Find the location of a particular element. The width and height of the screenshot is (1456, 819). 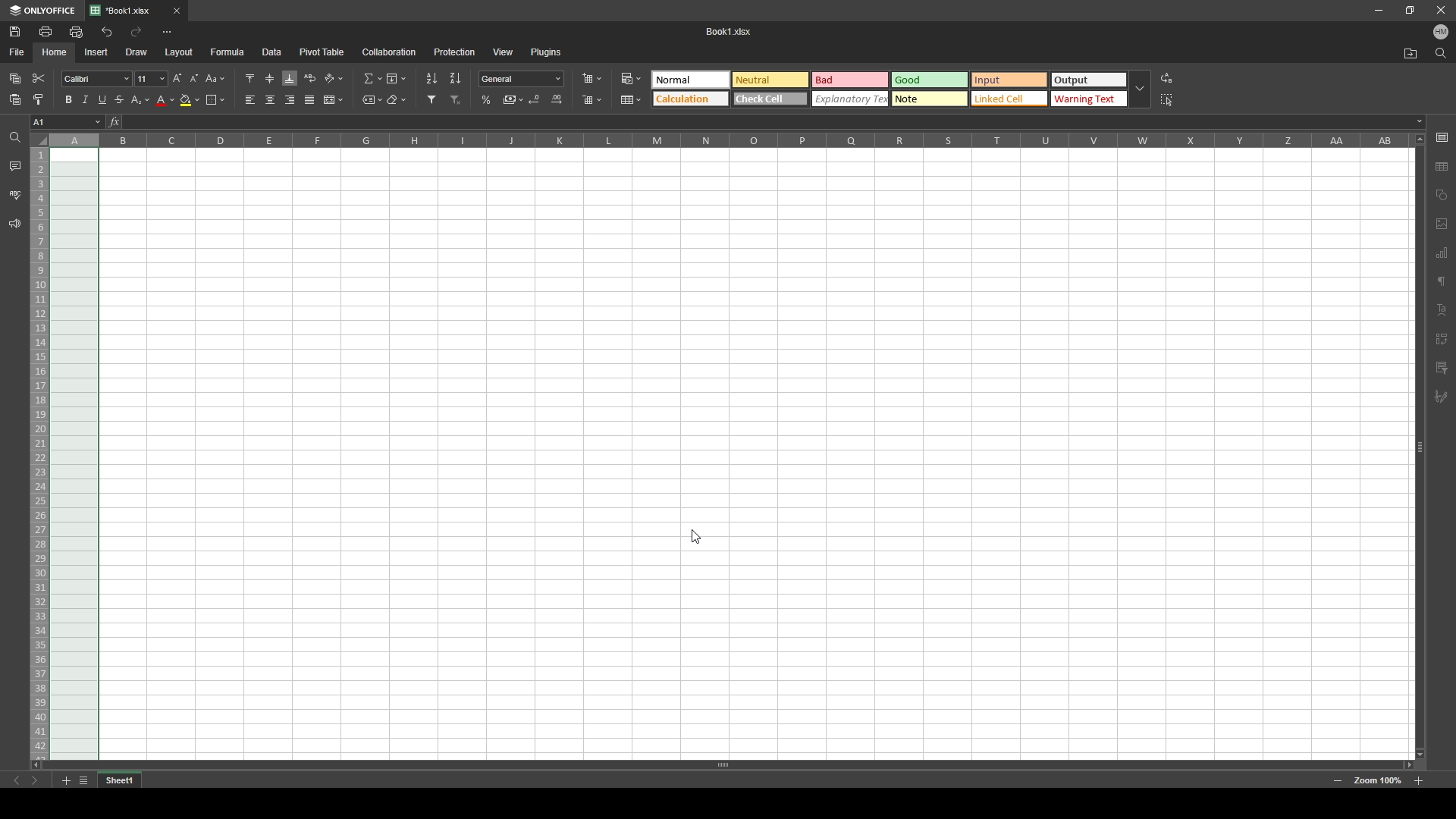

align middle is located at coordinates (271, 79).